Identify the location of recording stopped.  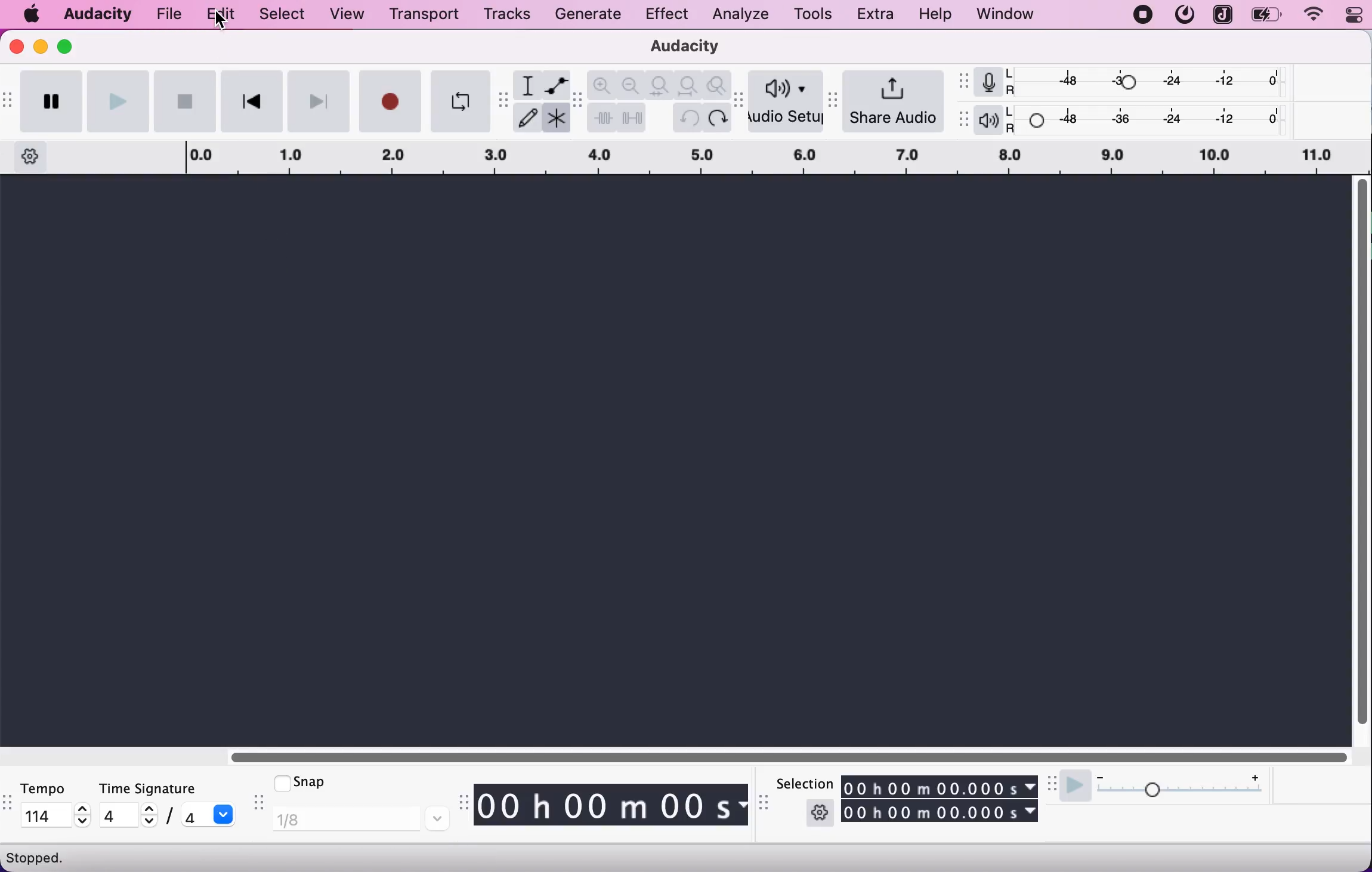
(1143, 15).